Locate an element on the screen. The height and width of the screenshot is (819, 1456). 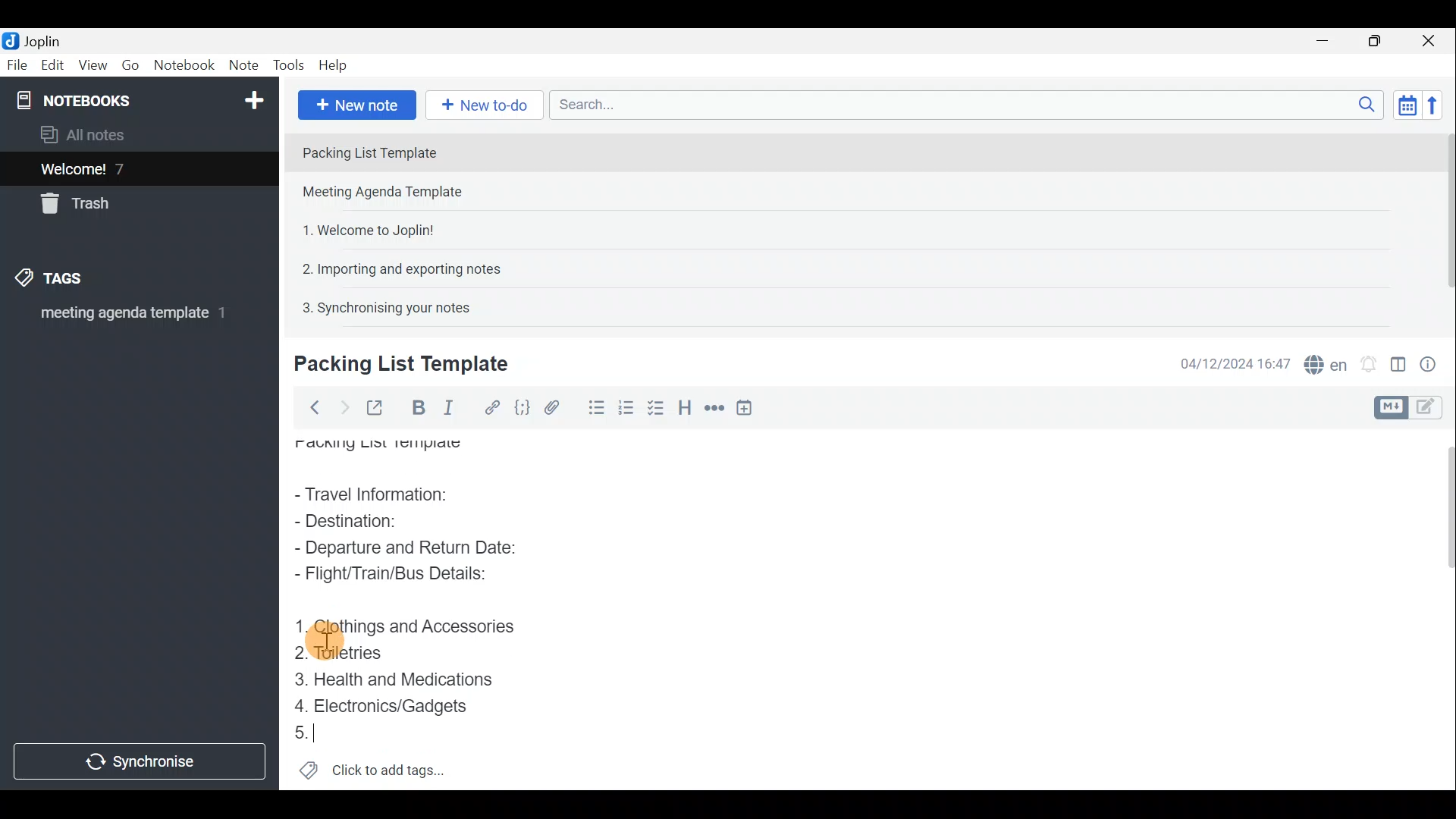
Bold is located at coordinates (416, 406).